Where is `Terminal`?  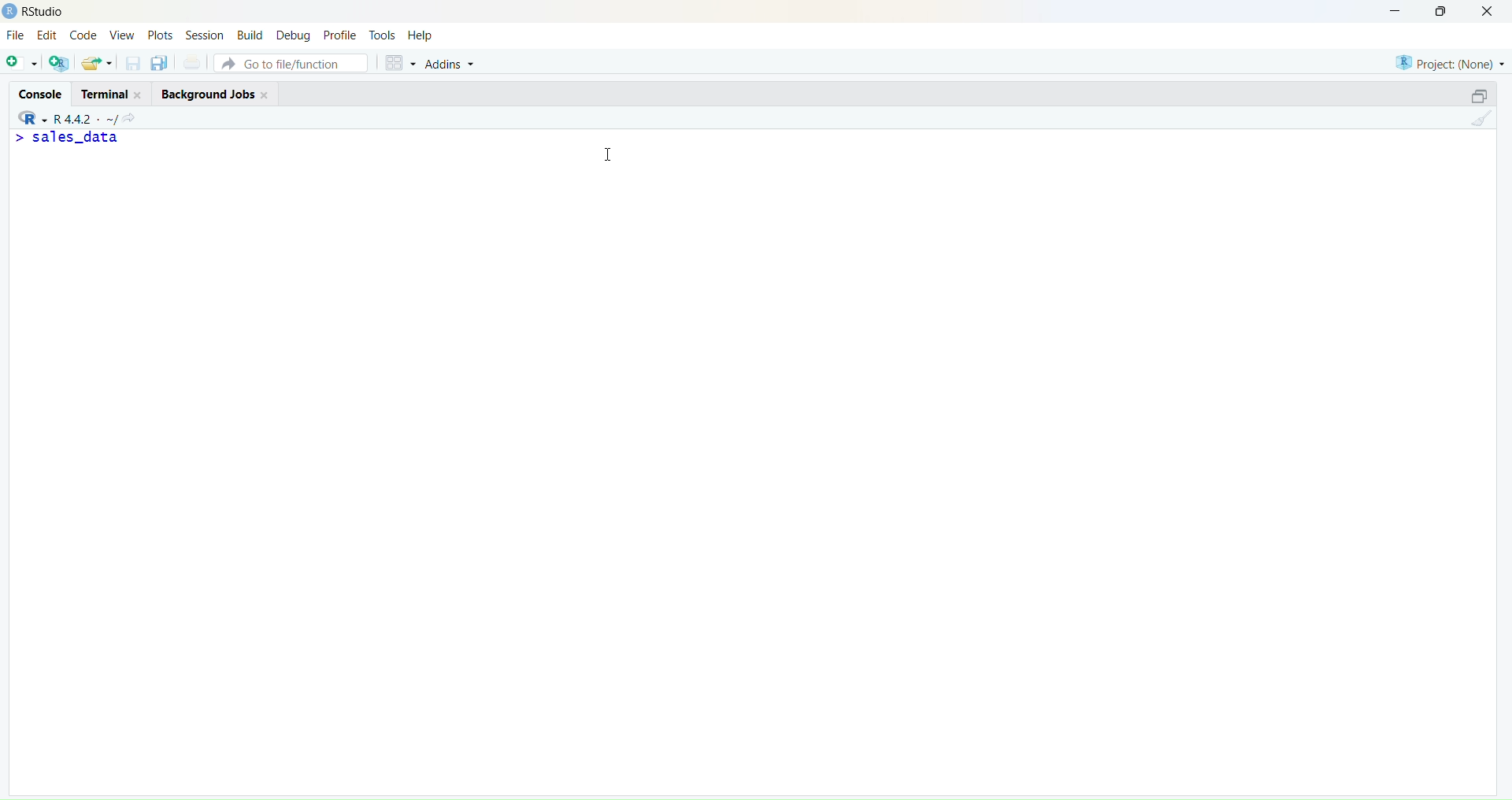 Terminal is located at coordinates (108, 93).